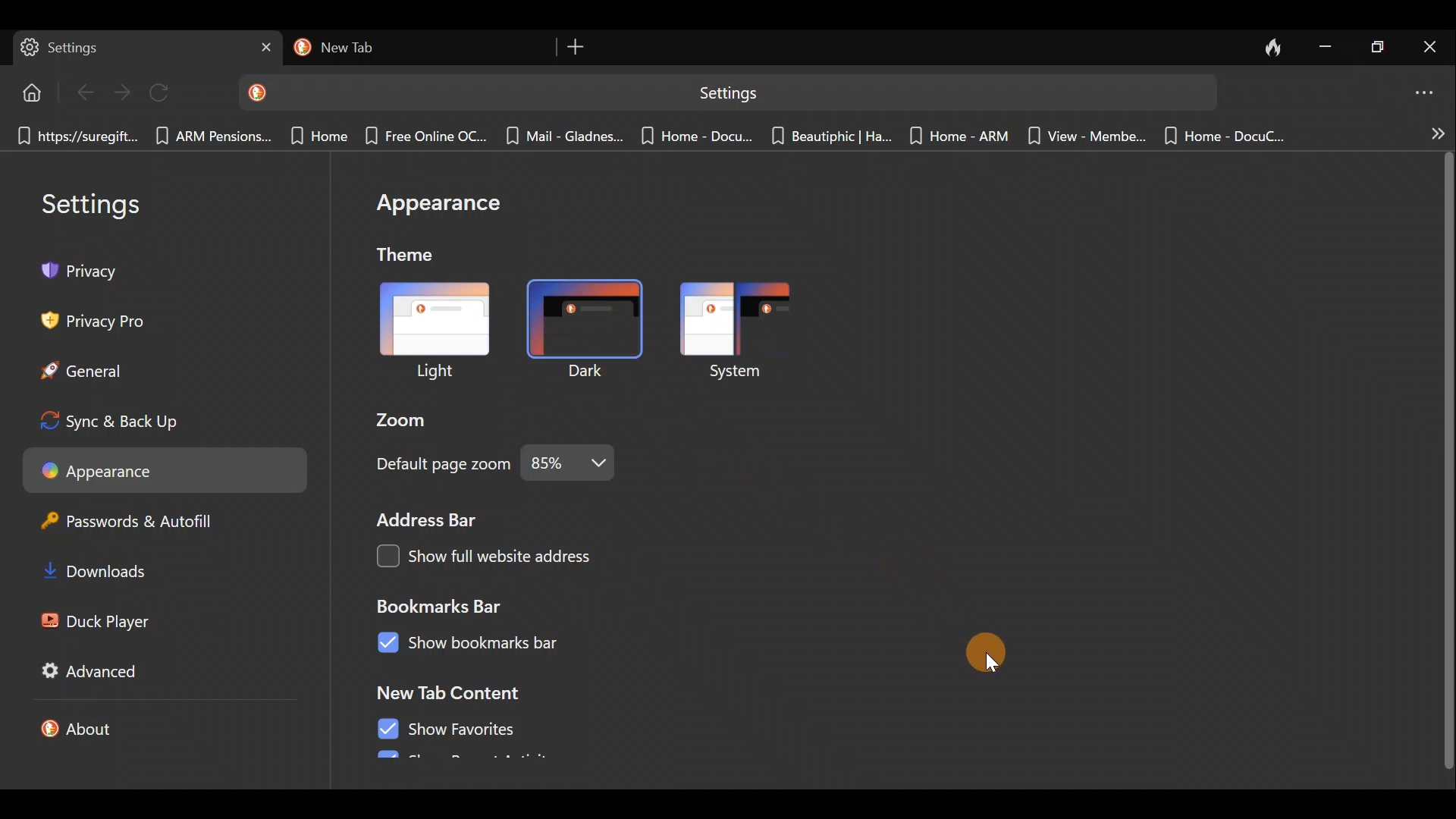  I want to click on Sync & back up, so click(122, 416).